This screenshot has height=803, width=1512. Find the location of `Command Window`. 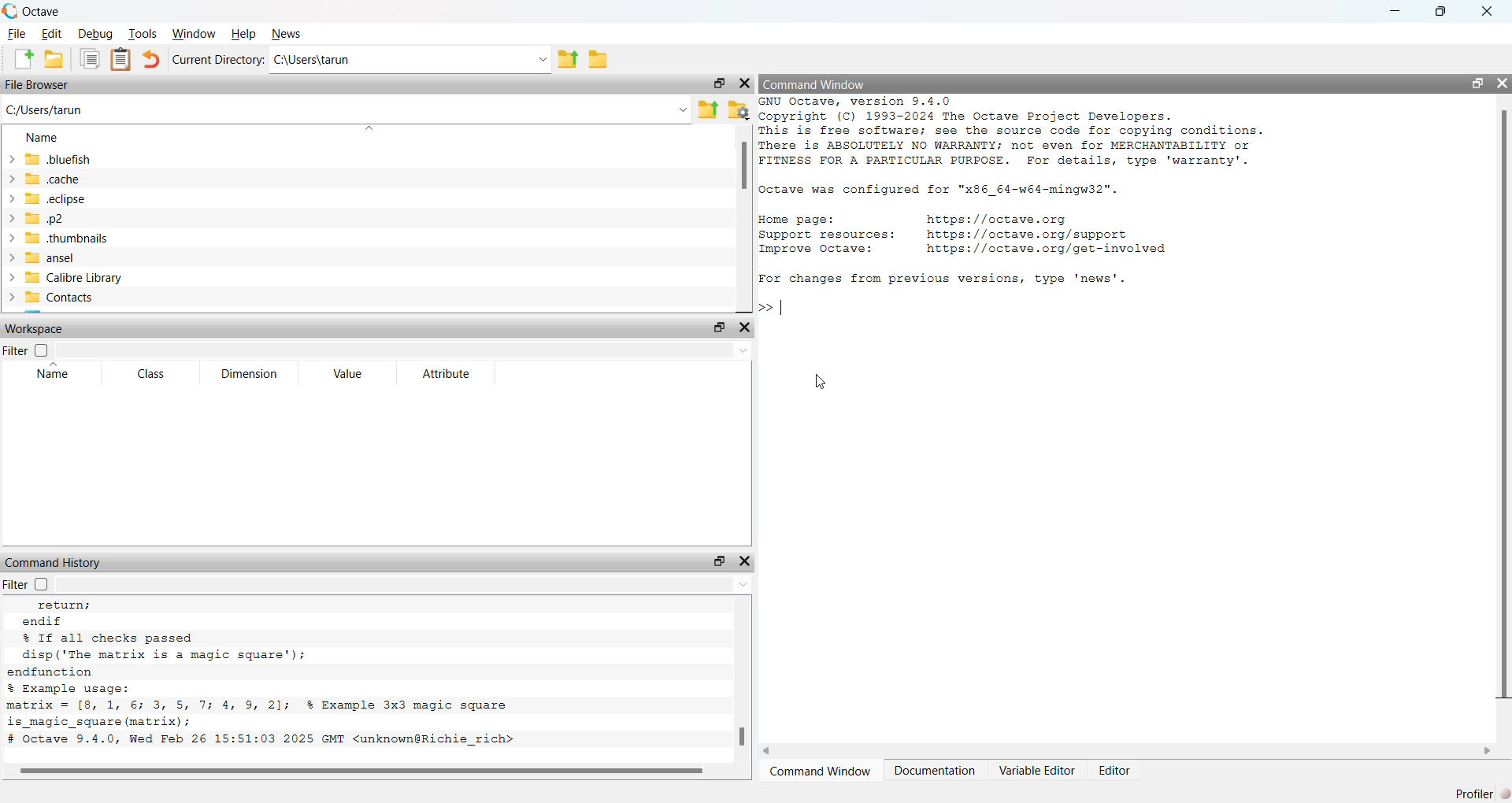

Command Window is located at coordinates (814, 86).